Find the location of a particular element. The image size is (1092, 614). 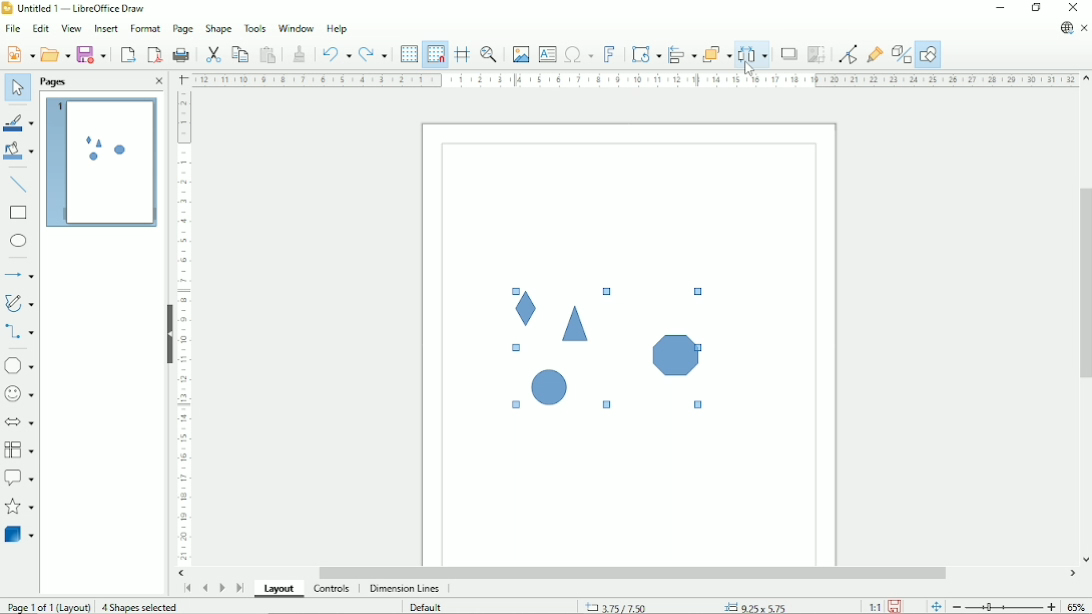

Export is located at coordinates (128, 54).